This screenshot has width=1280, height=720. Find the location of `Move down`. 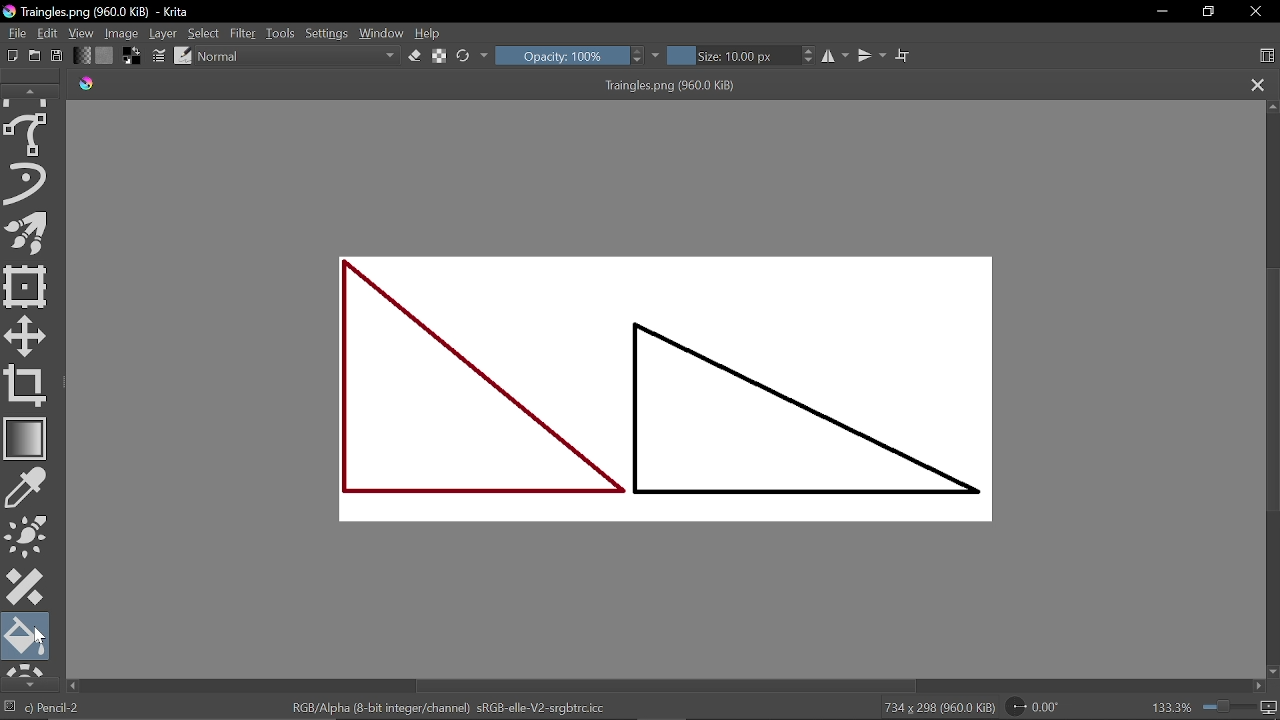

Move down is located at coordinates (1272, 672).